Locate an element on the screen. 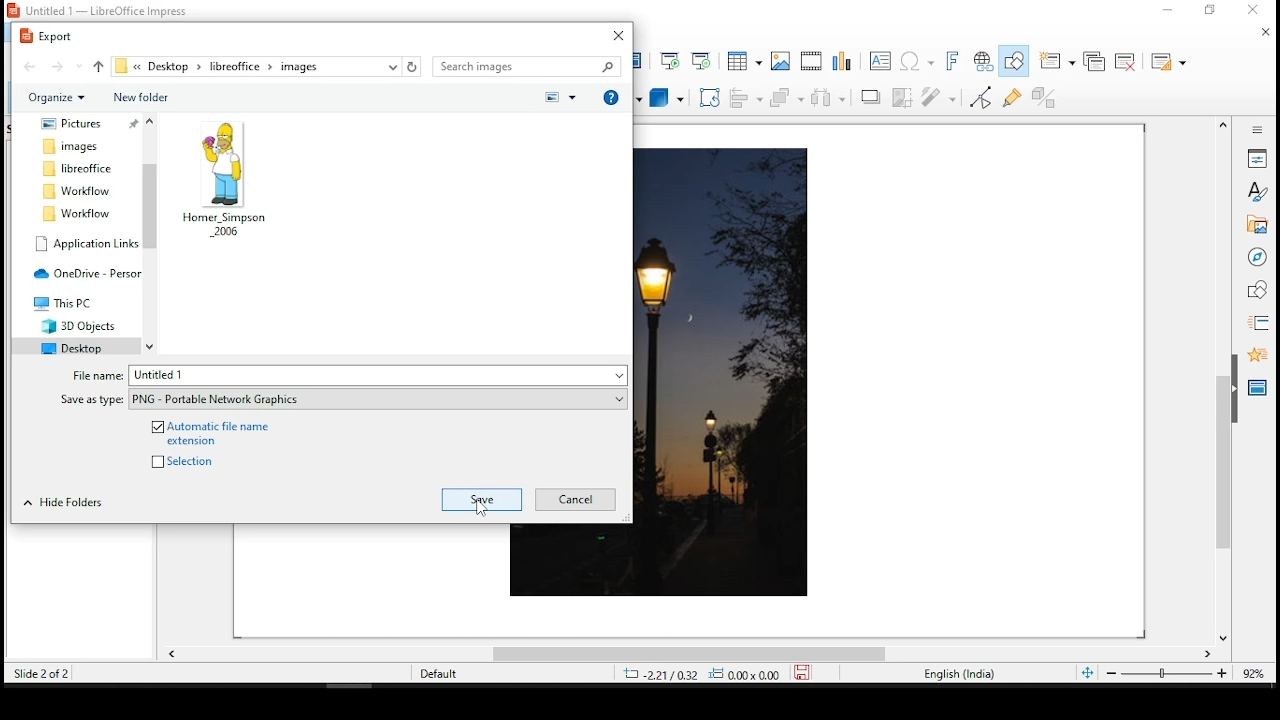 The image size is (1280, 720). forward is located at coordinates (65, 65).